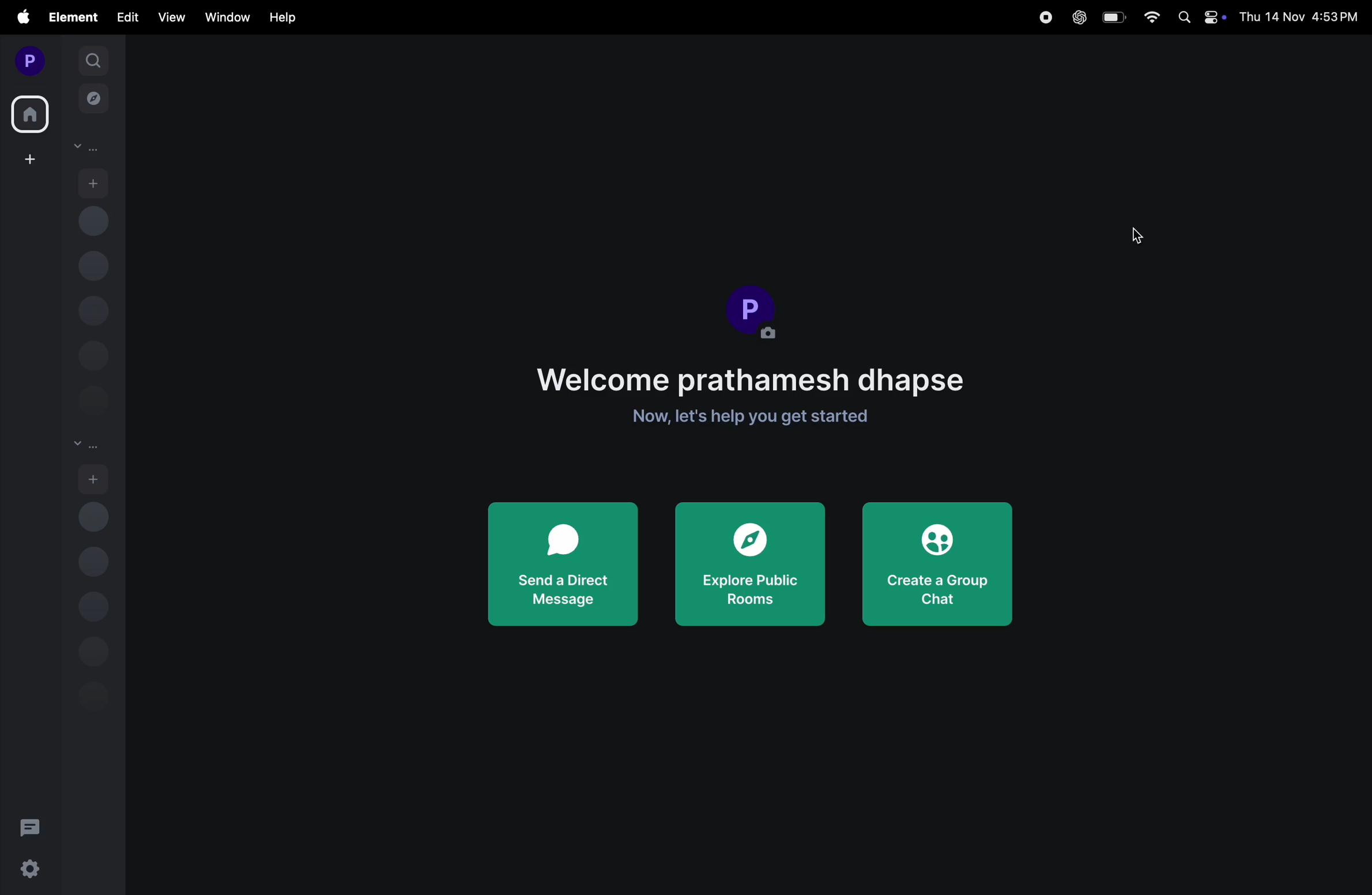 The image size is (1372, 895). I want to click on chat gpt, so click(1077, 17).